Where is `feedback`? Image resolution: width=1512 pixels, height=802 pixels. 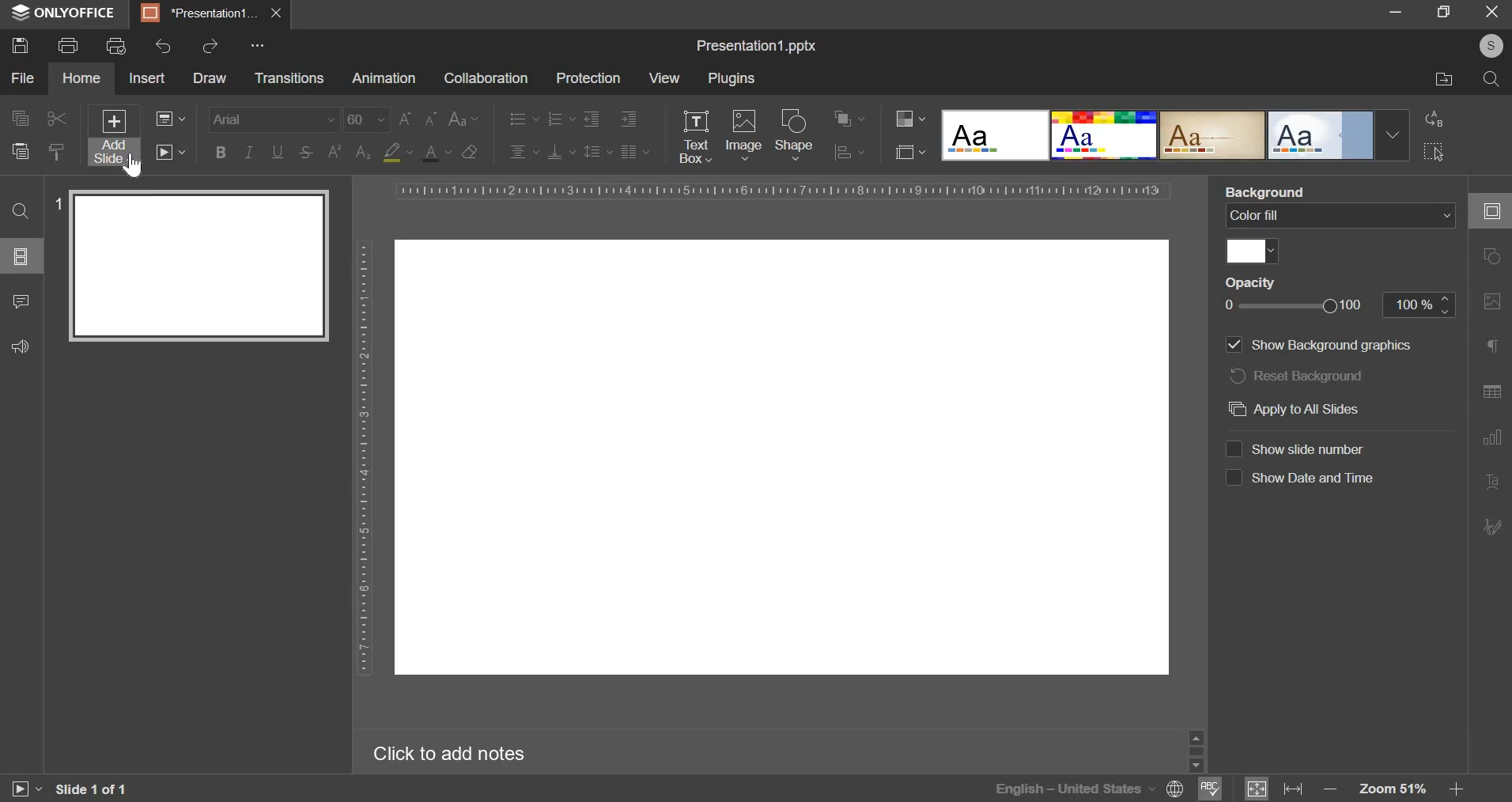 feedback is located at coordinates (17, 344).